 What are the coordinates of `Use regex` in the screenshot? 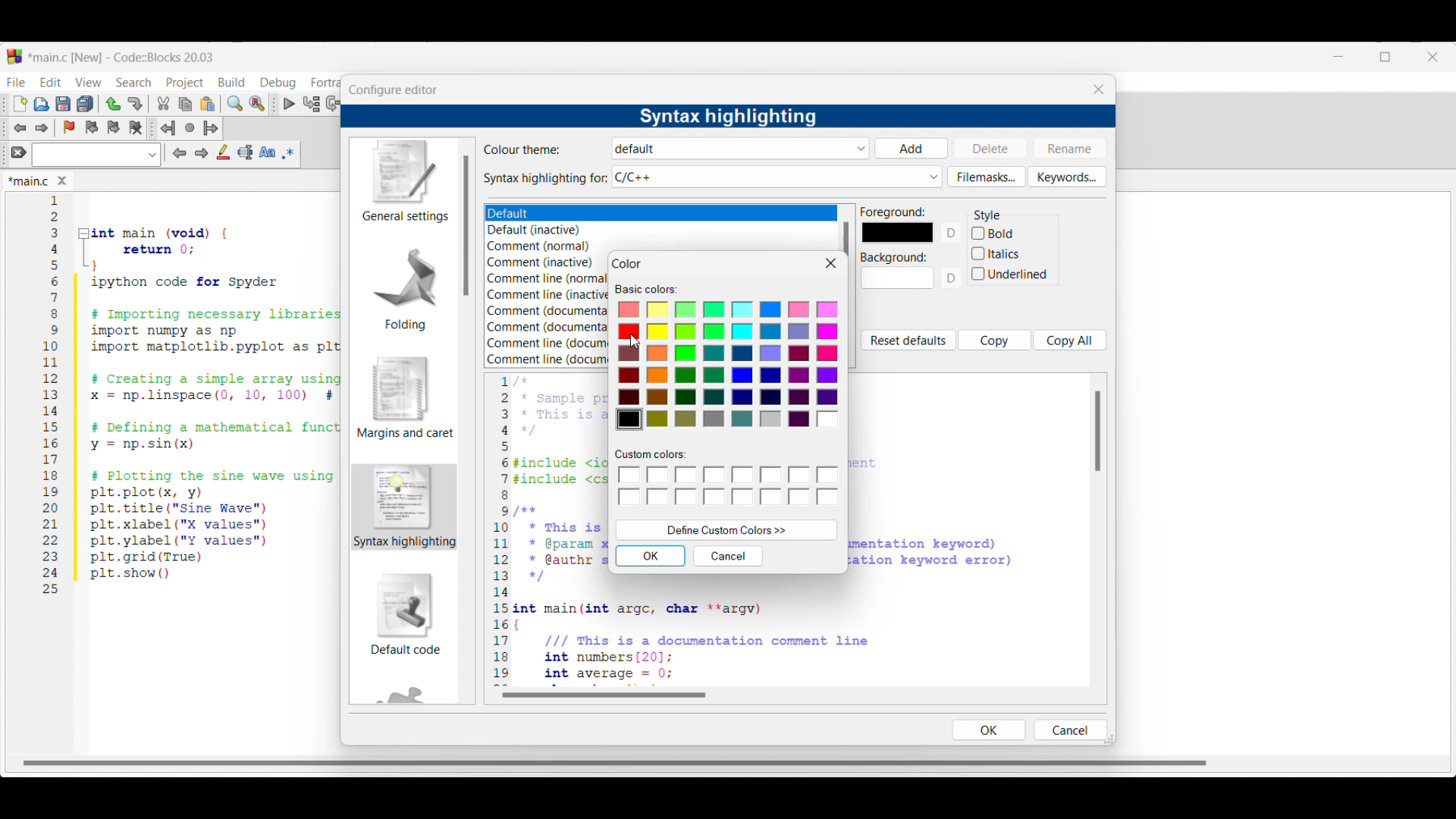 It's located at (288, 153).